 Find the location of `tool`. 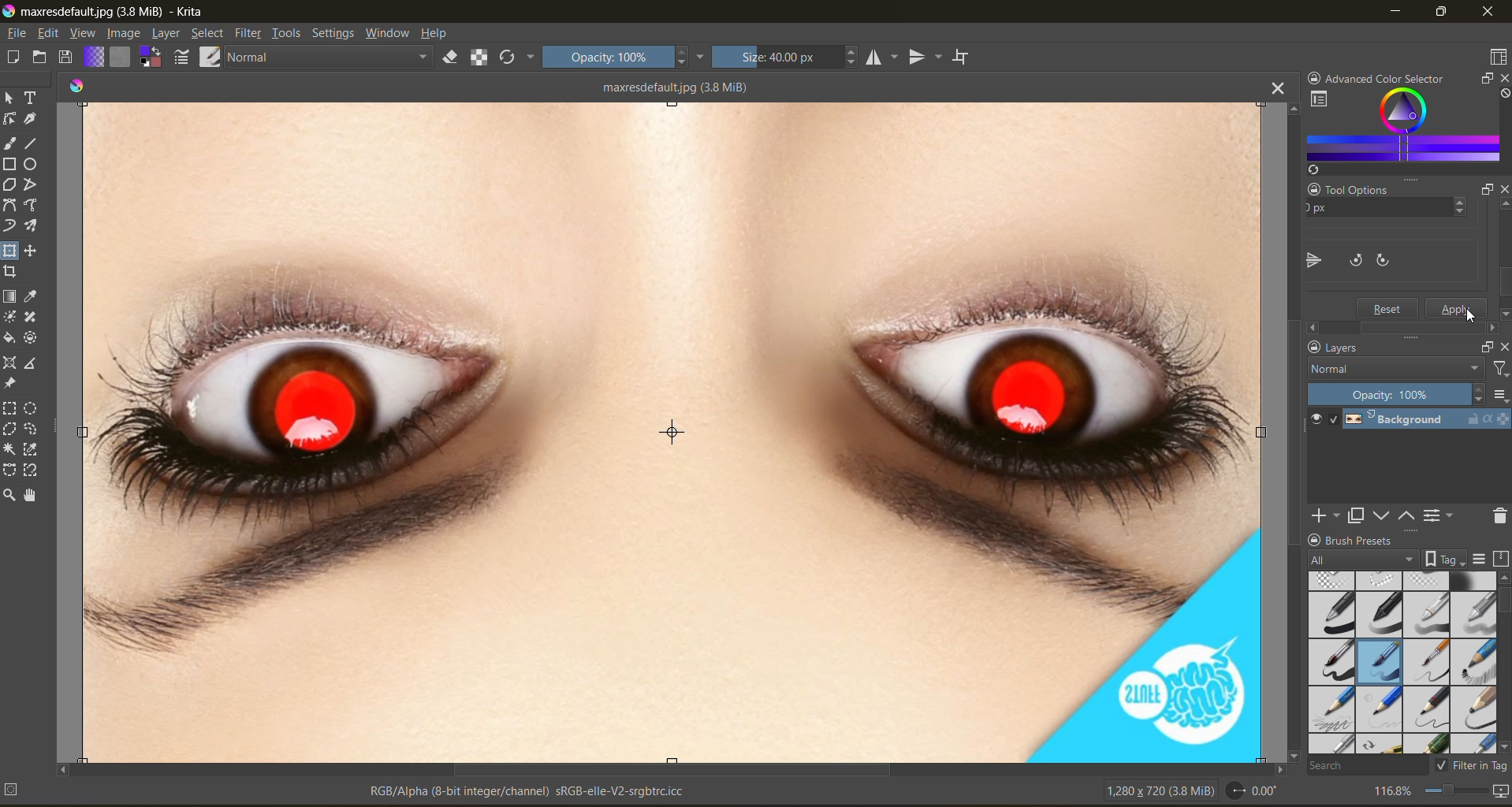

tool is located at coordinates (11, 99).